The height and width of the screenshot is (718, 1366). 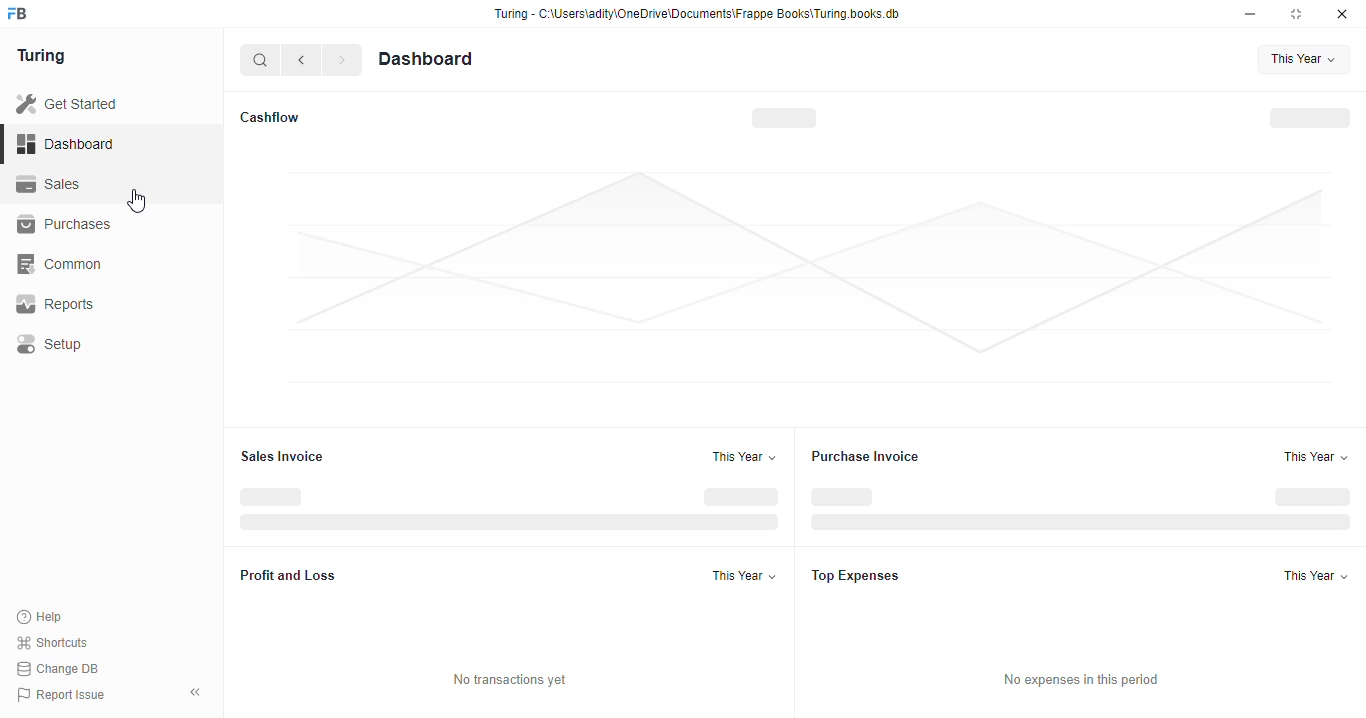 What do you see at coordinates (103, 302) in the screenshot?
I see `Reports` at bounding box center [103, 302].